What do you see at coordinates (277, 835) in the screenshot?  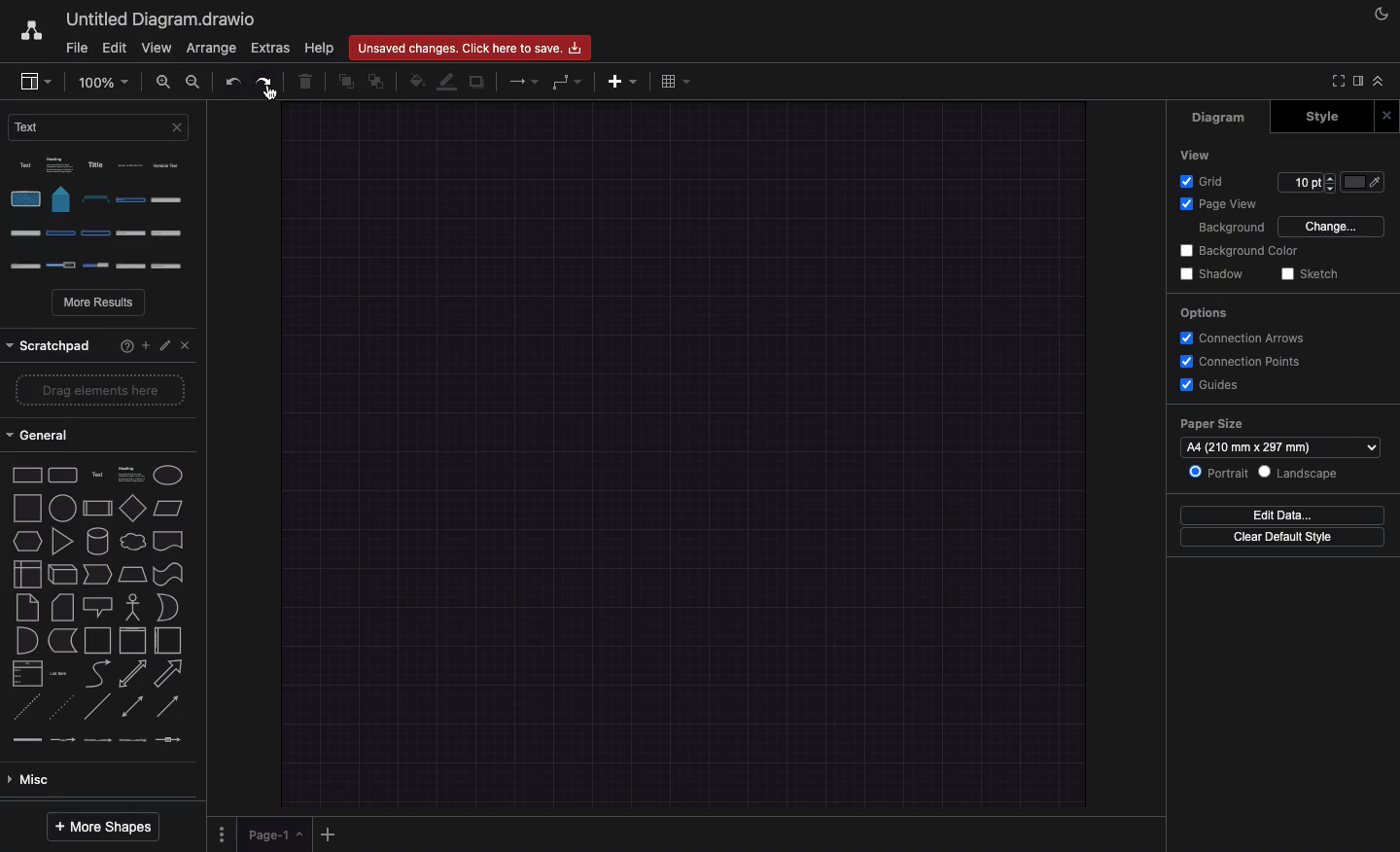 I see `Page 1` at bounding box center [277, 835].